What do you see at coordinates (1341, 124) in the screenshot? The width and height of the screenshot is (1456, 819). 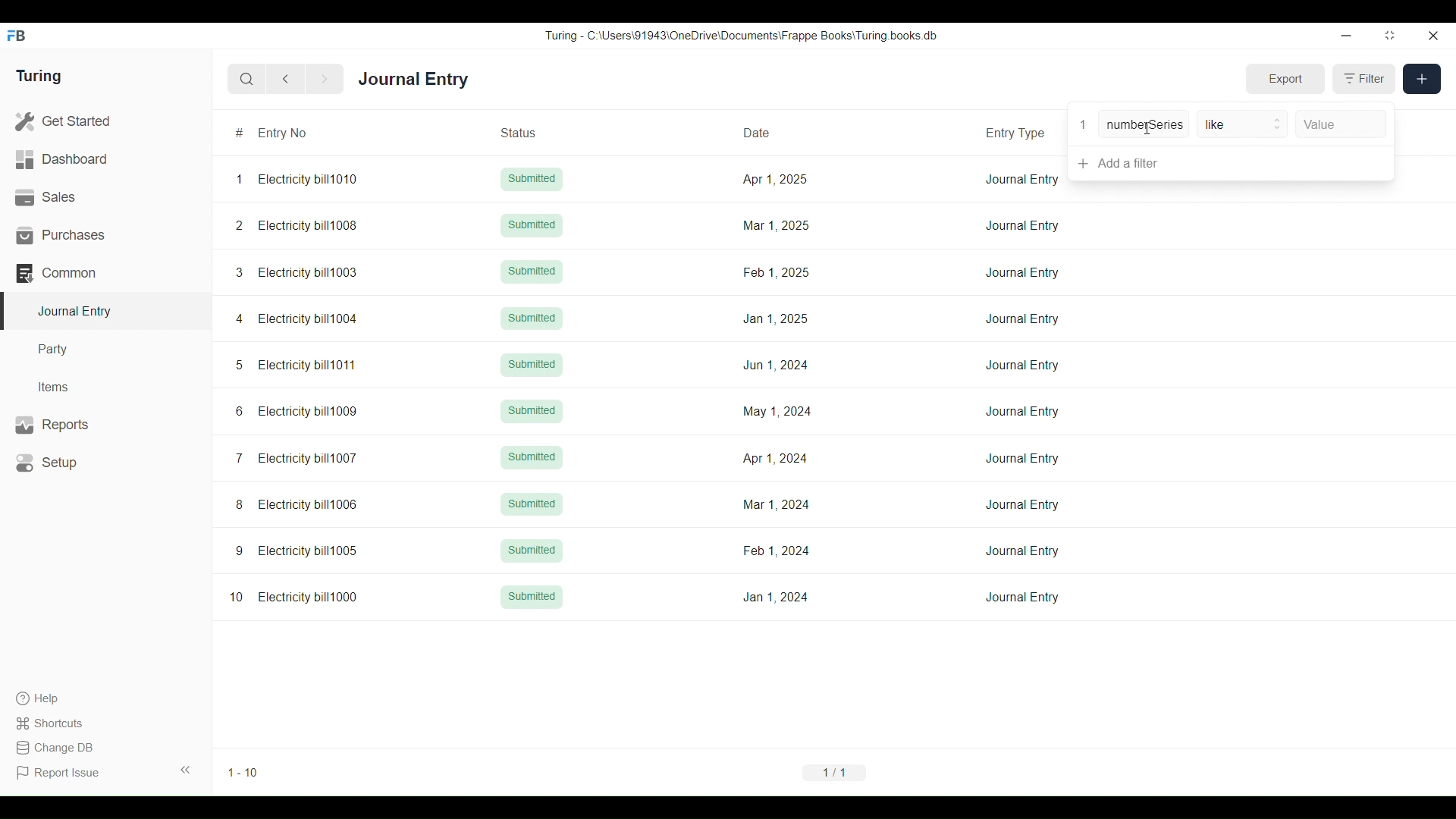 I see `Value` at bounding box center [1341, 124].